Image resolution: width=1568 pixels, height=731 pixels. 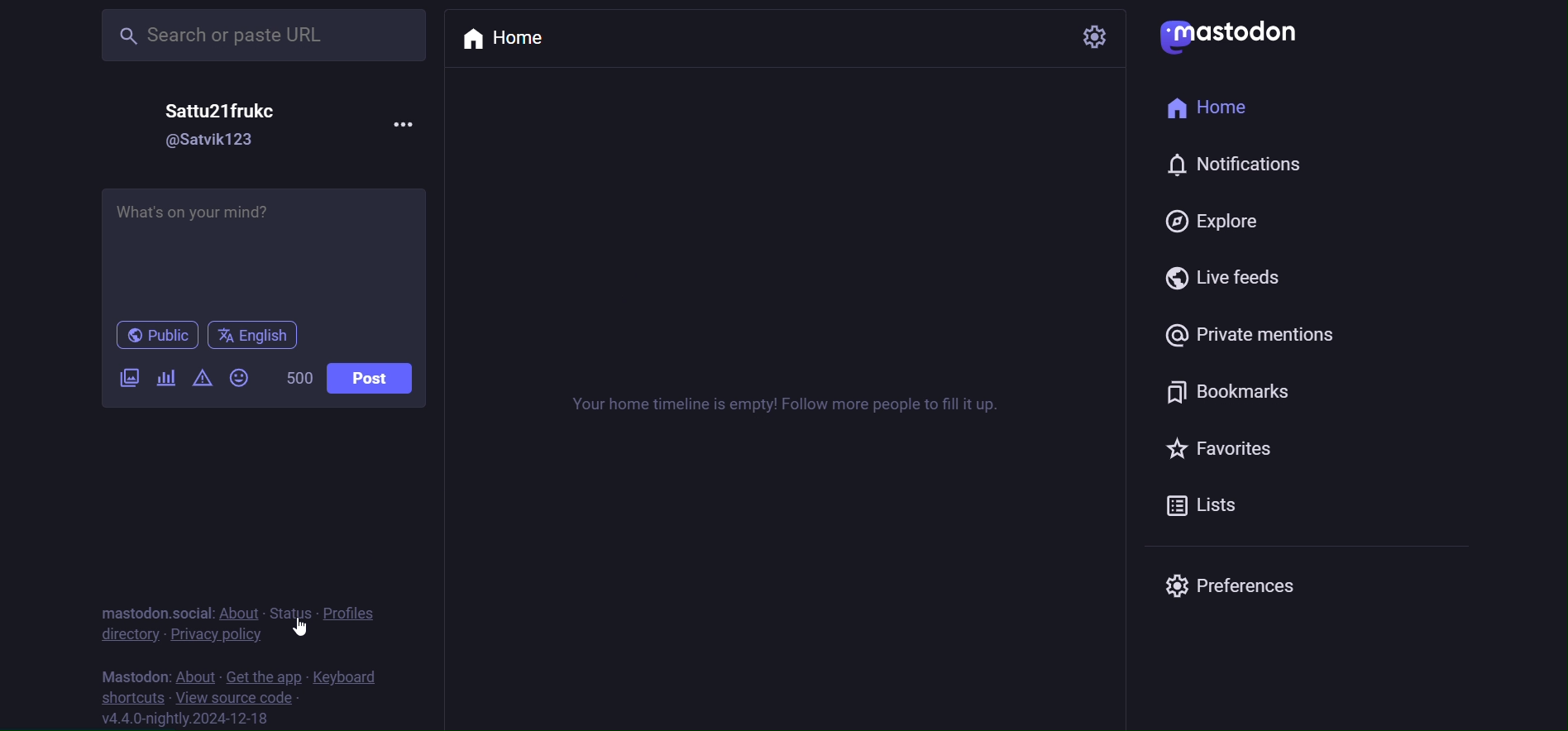 I want to click on notification, so click(x=1236, y=165).